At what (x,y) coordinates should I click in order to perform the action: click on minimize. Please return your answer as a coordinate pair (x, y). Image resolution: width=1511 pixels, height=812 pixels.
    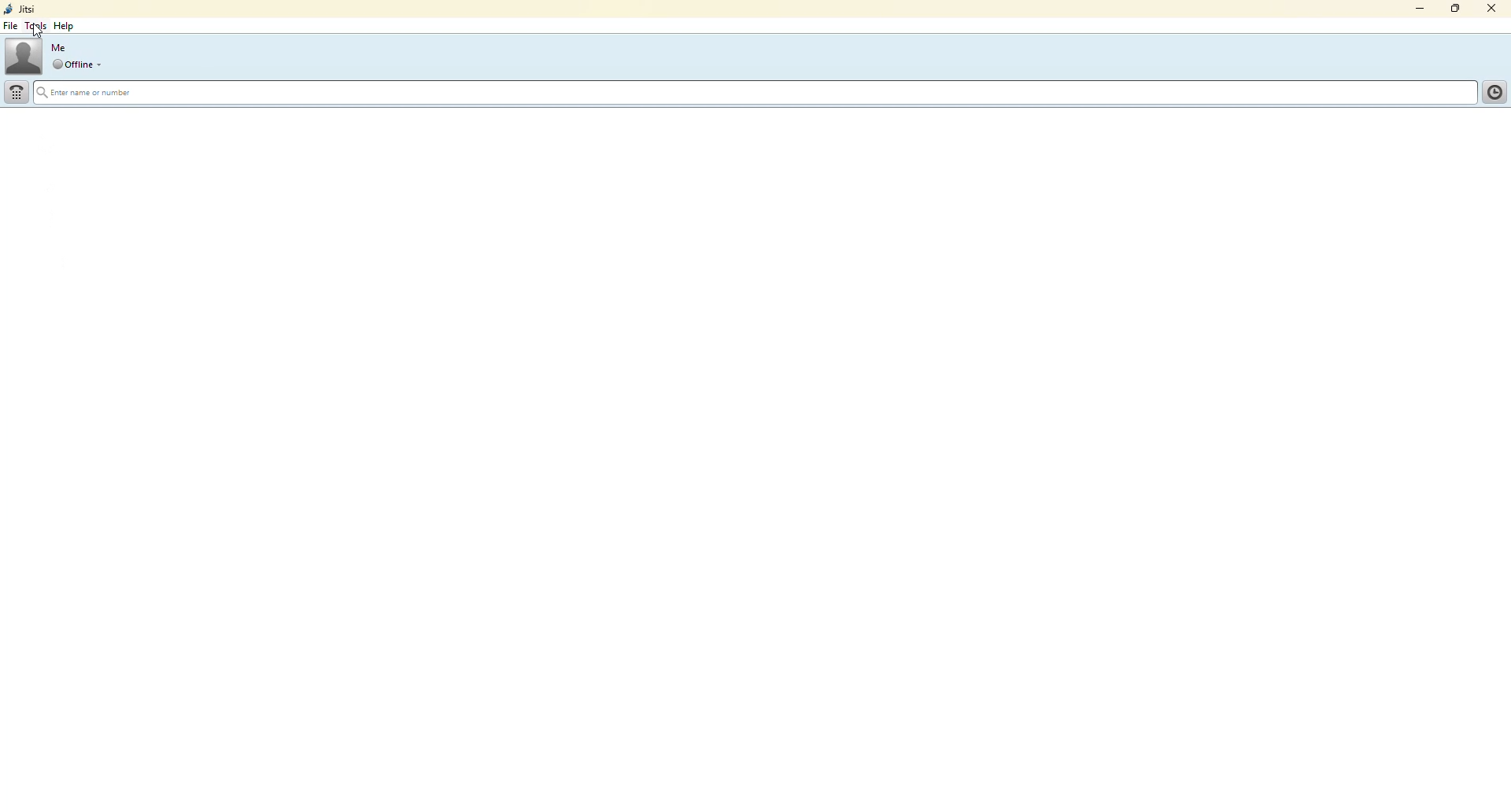
    Looking at the image, I should click on (1419, 9).